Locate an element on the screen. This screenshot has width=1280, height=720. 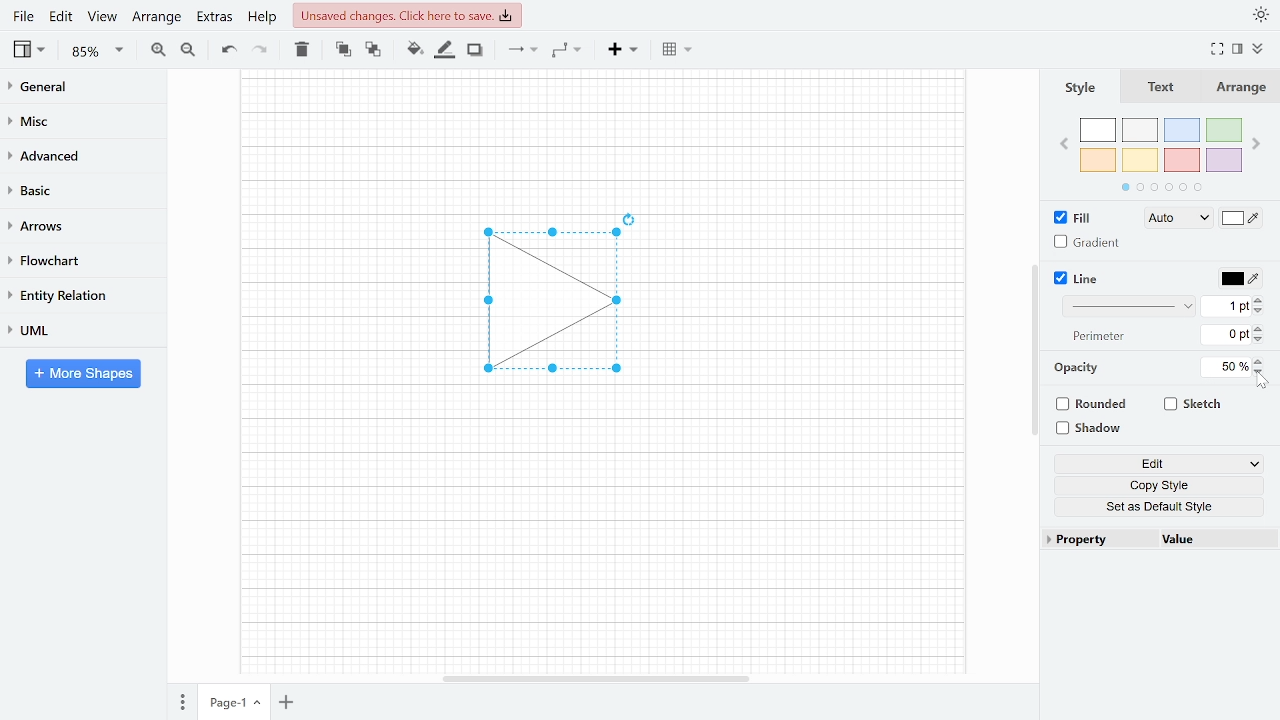
Add page is located at coordinates (290, 704).